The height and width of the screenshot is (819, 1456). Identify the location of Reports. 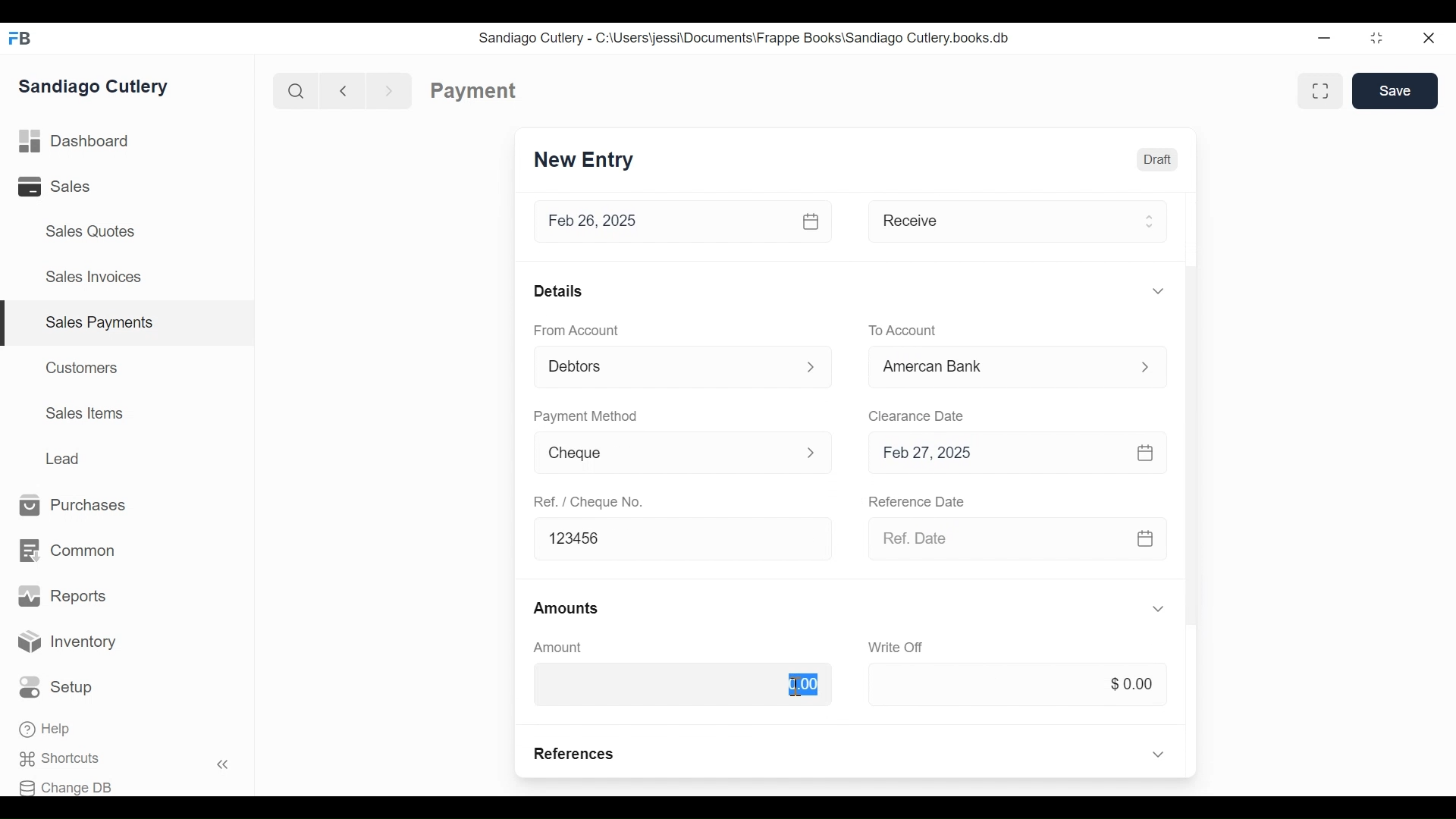
(62, 596).